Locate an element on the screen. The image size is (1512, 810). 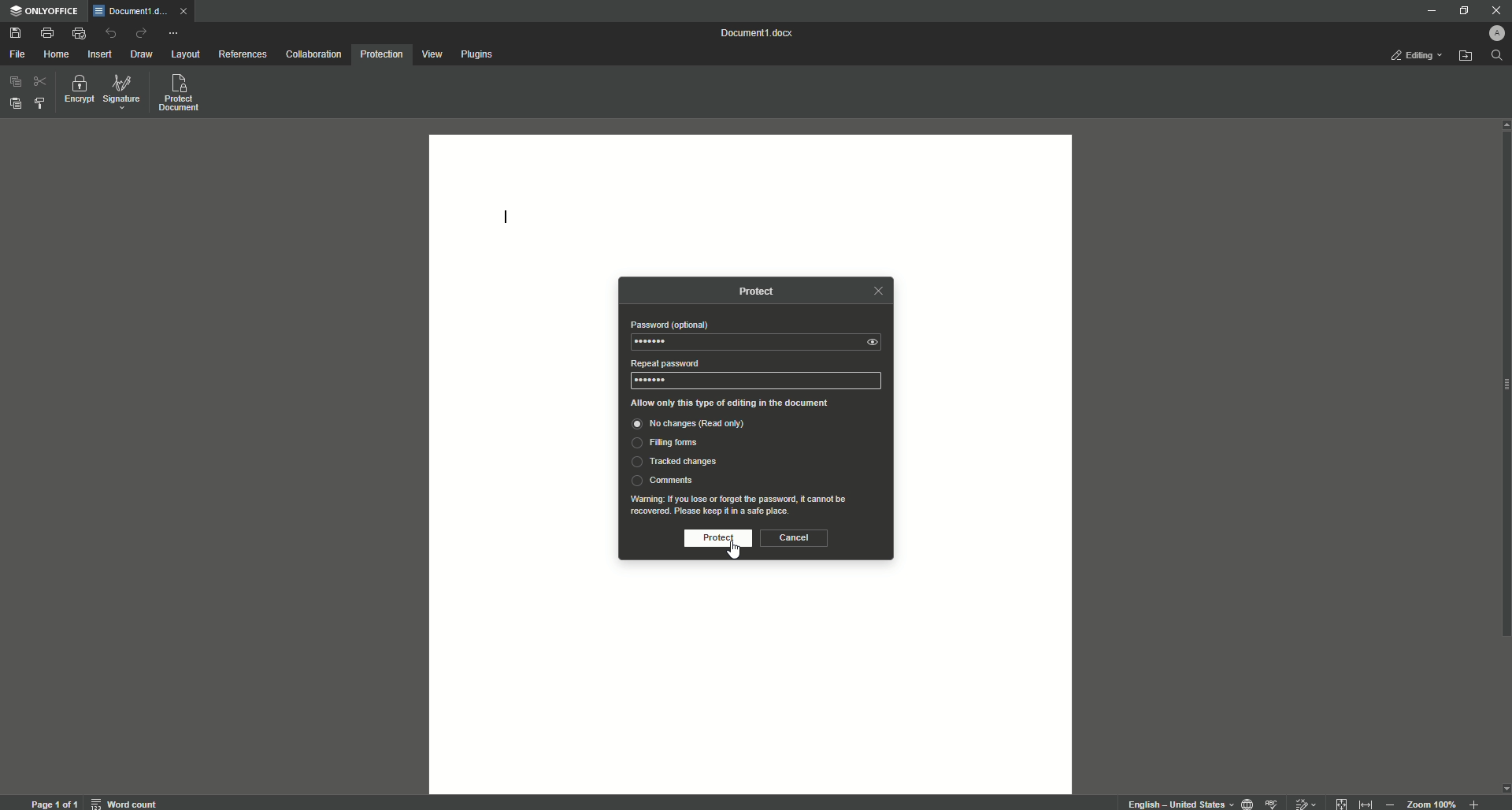
References is located at coordinates (242, 54).